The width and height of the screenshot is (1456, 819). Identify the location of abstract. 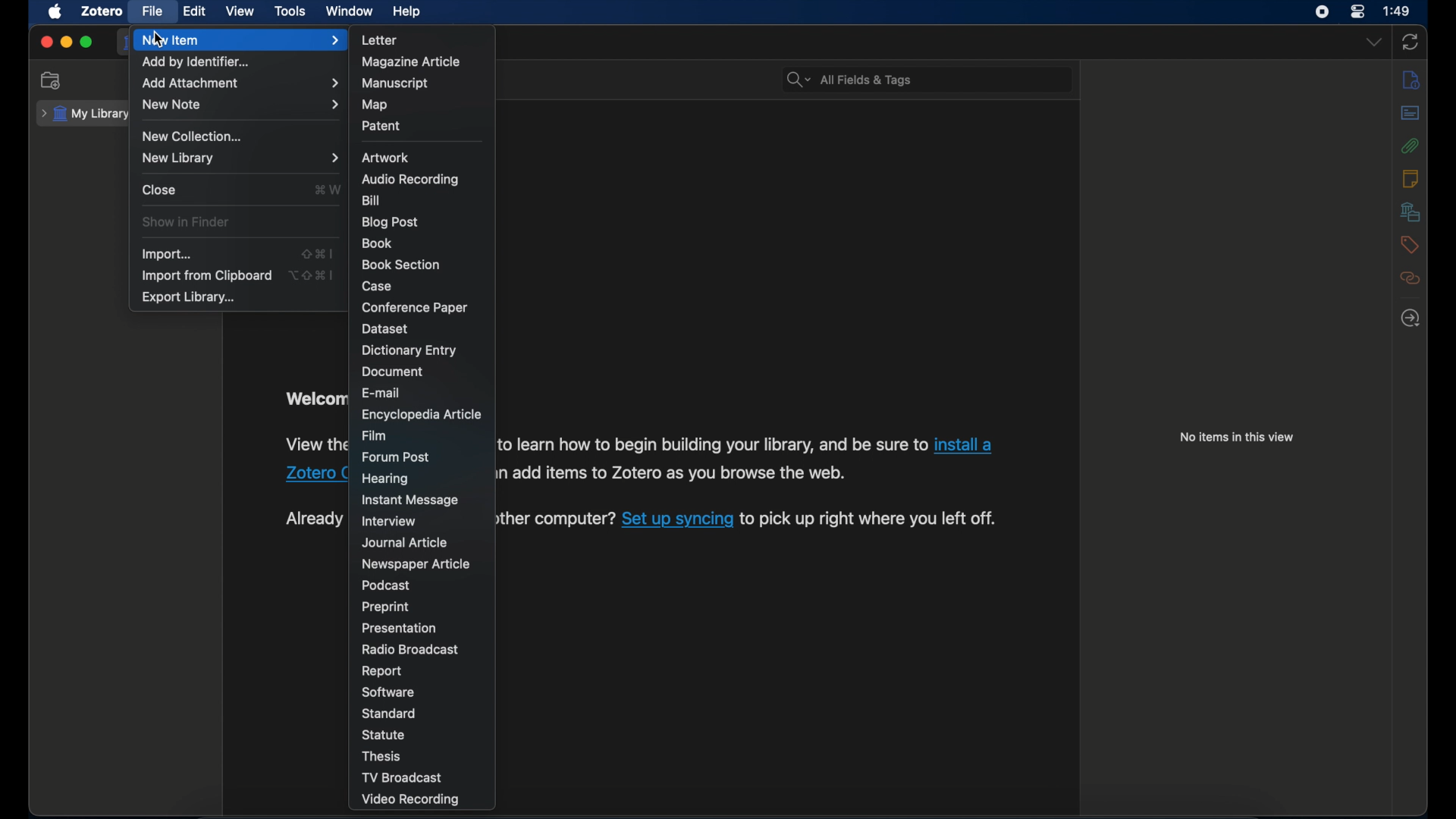
(1410, 113).